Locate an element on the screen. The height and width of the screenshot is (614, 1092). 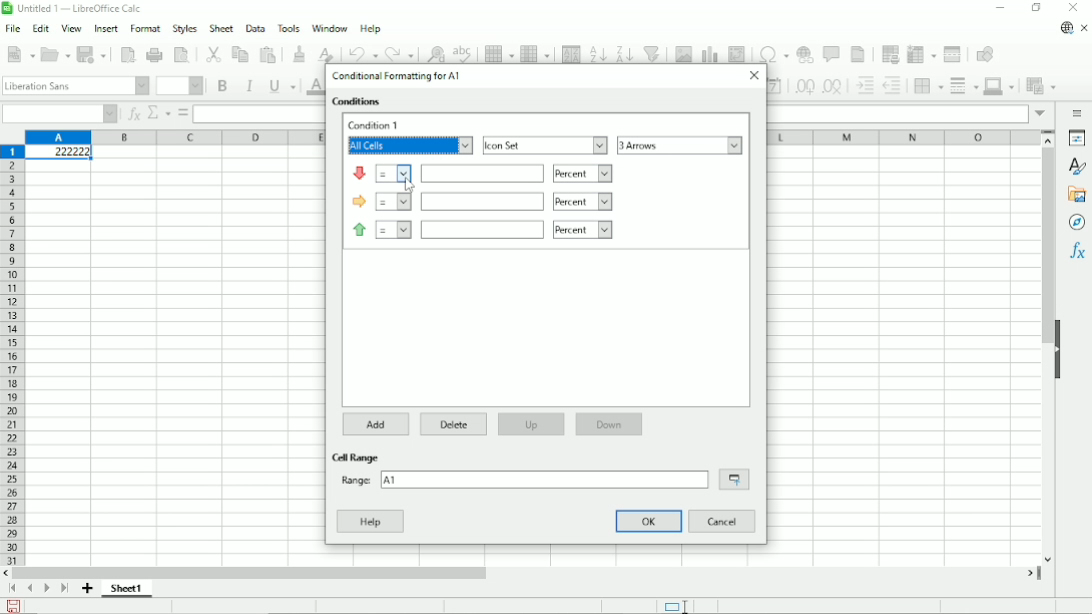
Show draw functions is located at coordinates (983, 53).